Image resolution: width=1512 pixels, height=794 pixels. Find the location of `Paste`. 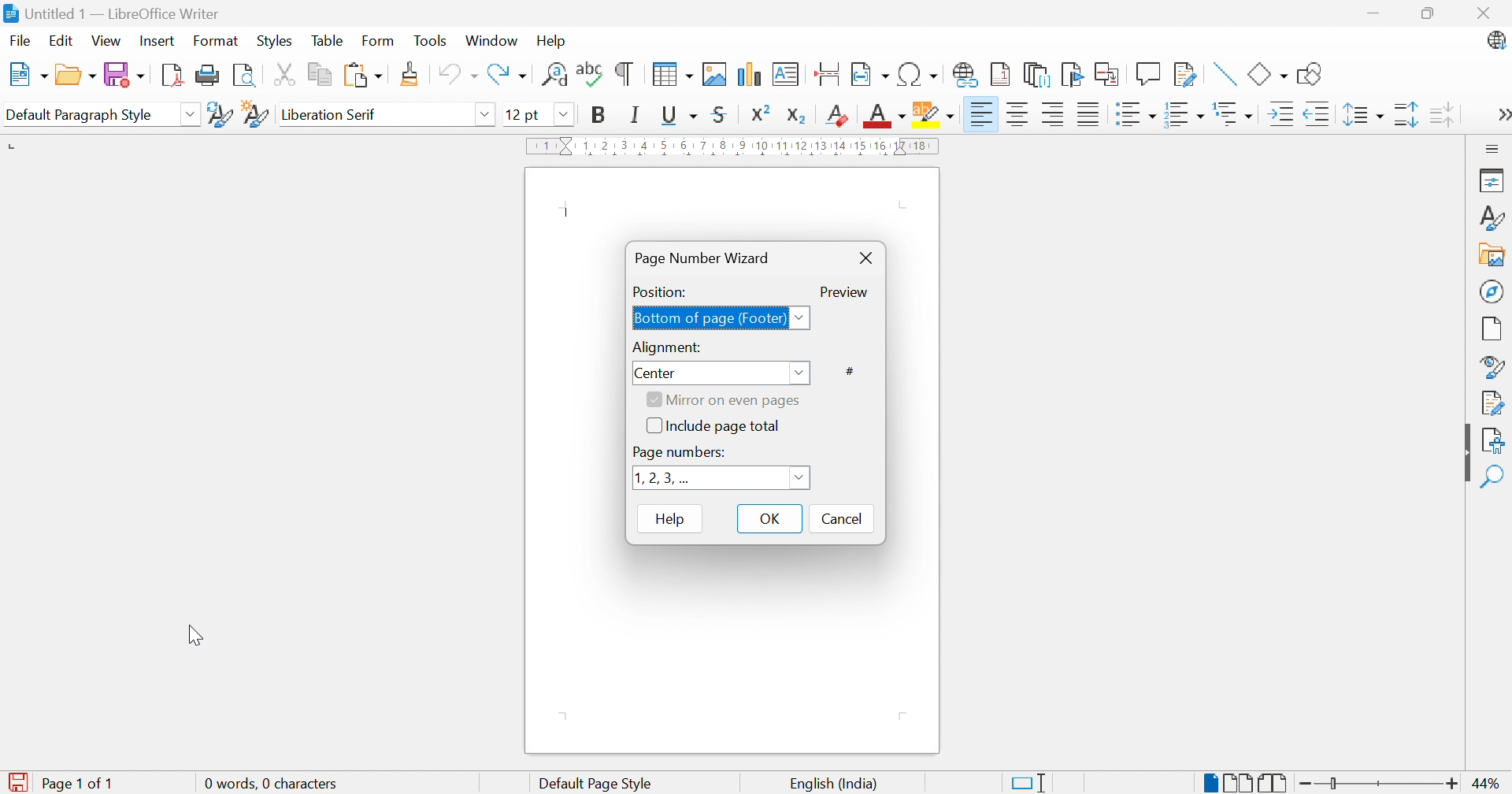

Paste is located at coordinates (367, 76).